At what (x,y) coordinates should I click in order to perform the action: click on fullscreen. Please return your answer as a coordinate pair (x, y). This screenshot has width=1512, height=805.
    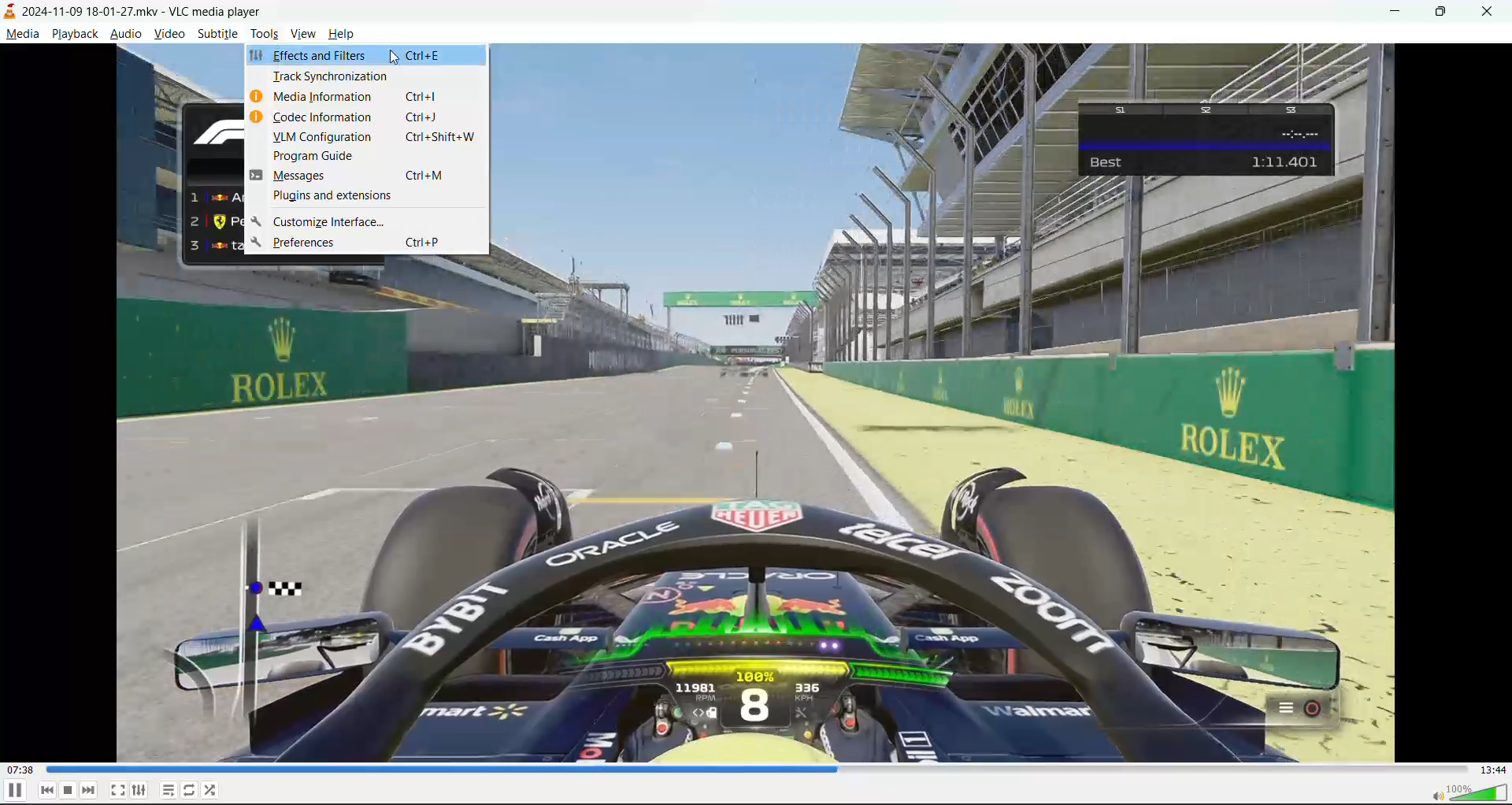
    Looking at the image, I should click on (117, 787).